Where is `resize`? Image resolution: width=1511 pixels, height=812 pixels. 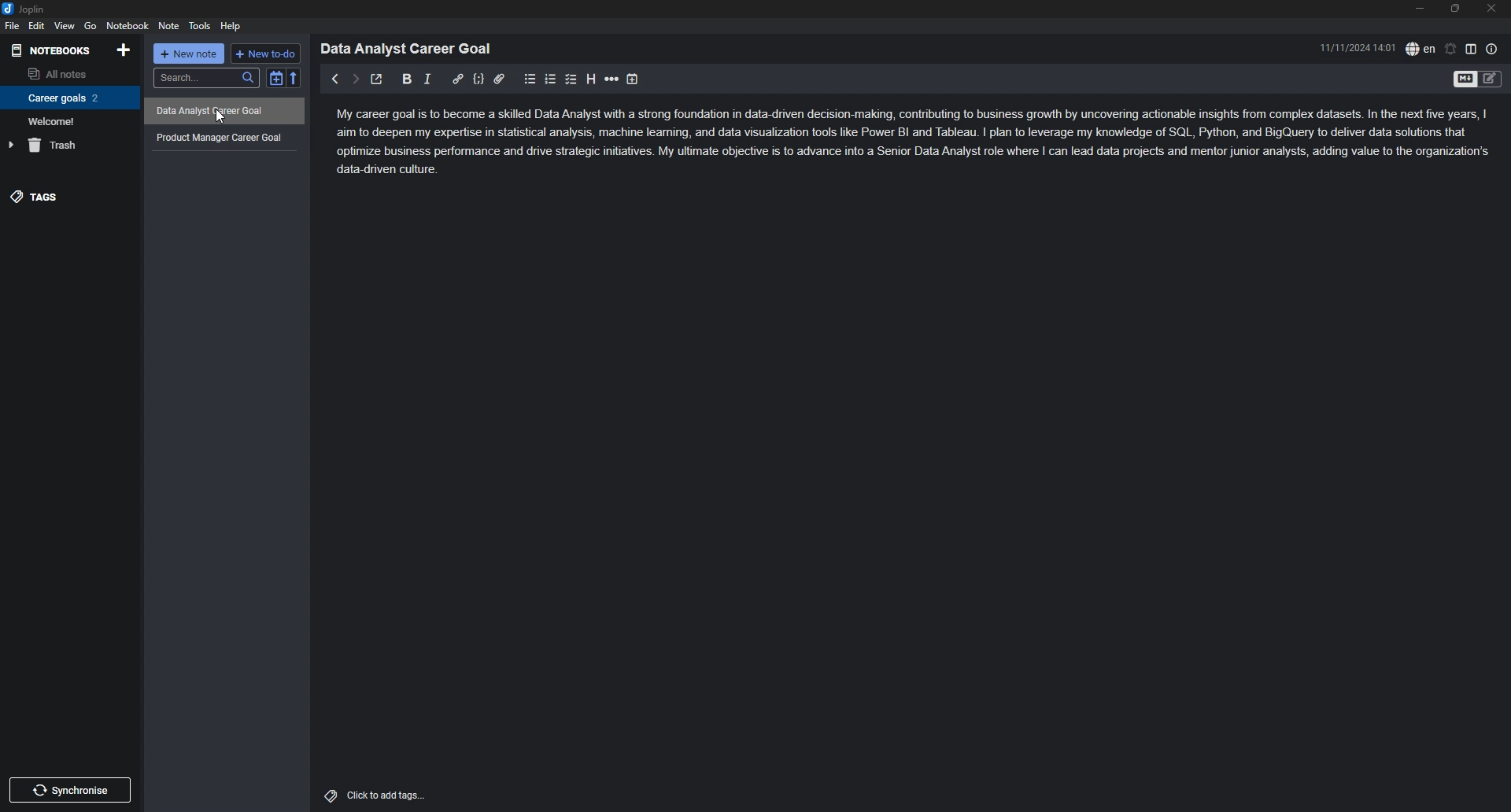 resize is located at coordinates (1456, 8).